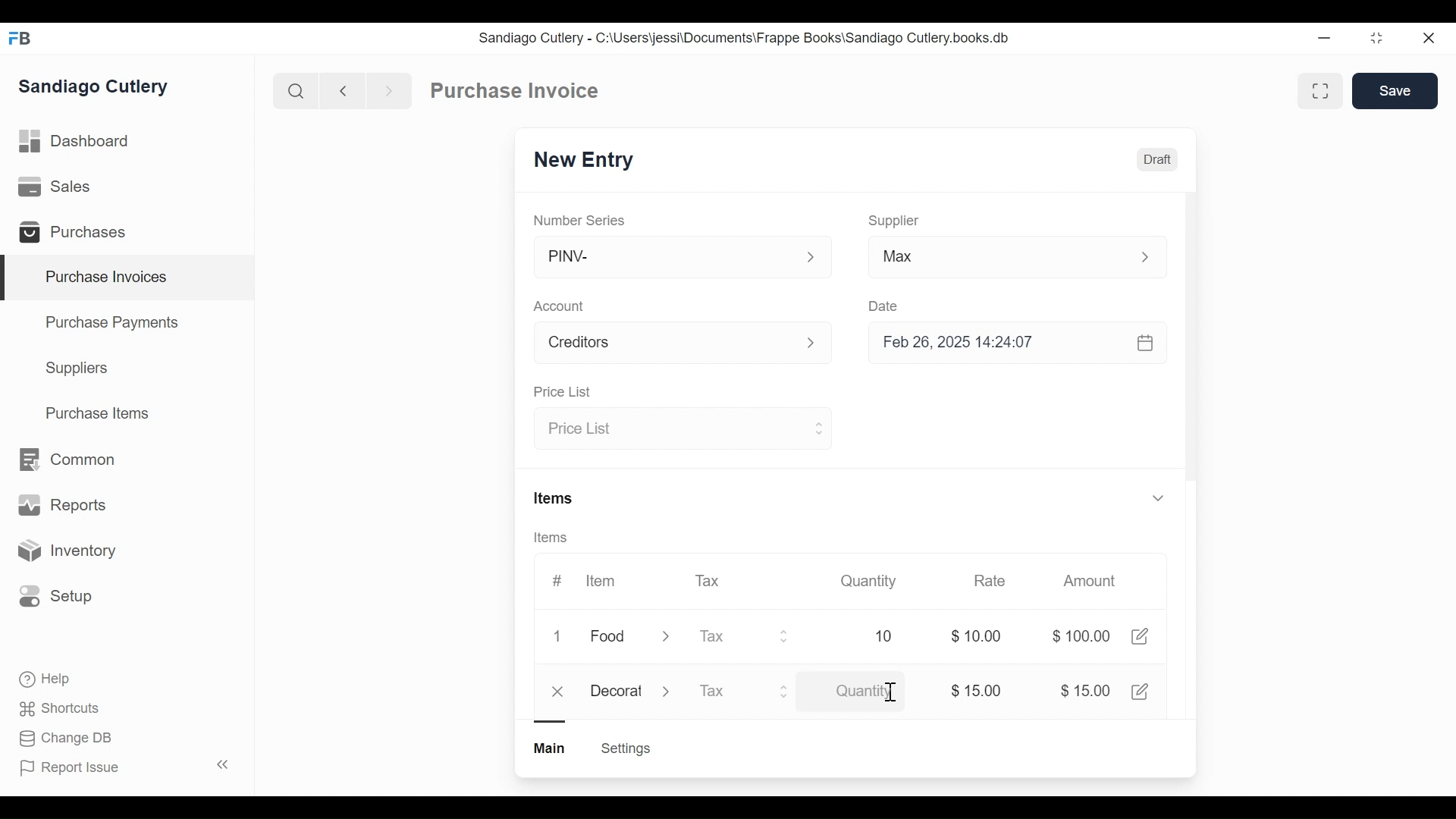 The image size is (1456, 819). What do you see at coordinates (516, 91) in the screenshot?
I see `Purchase Invoice` at bounding box center [516, 91].